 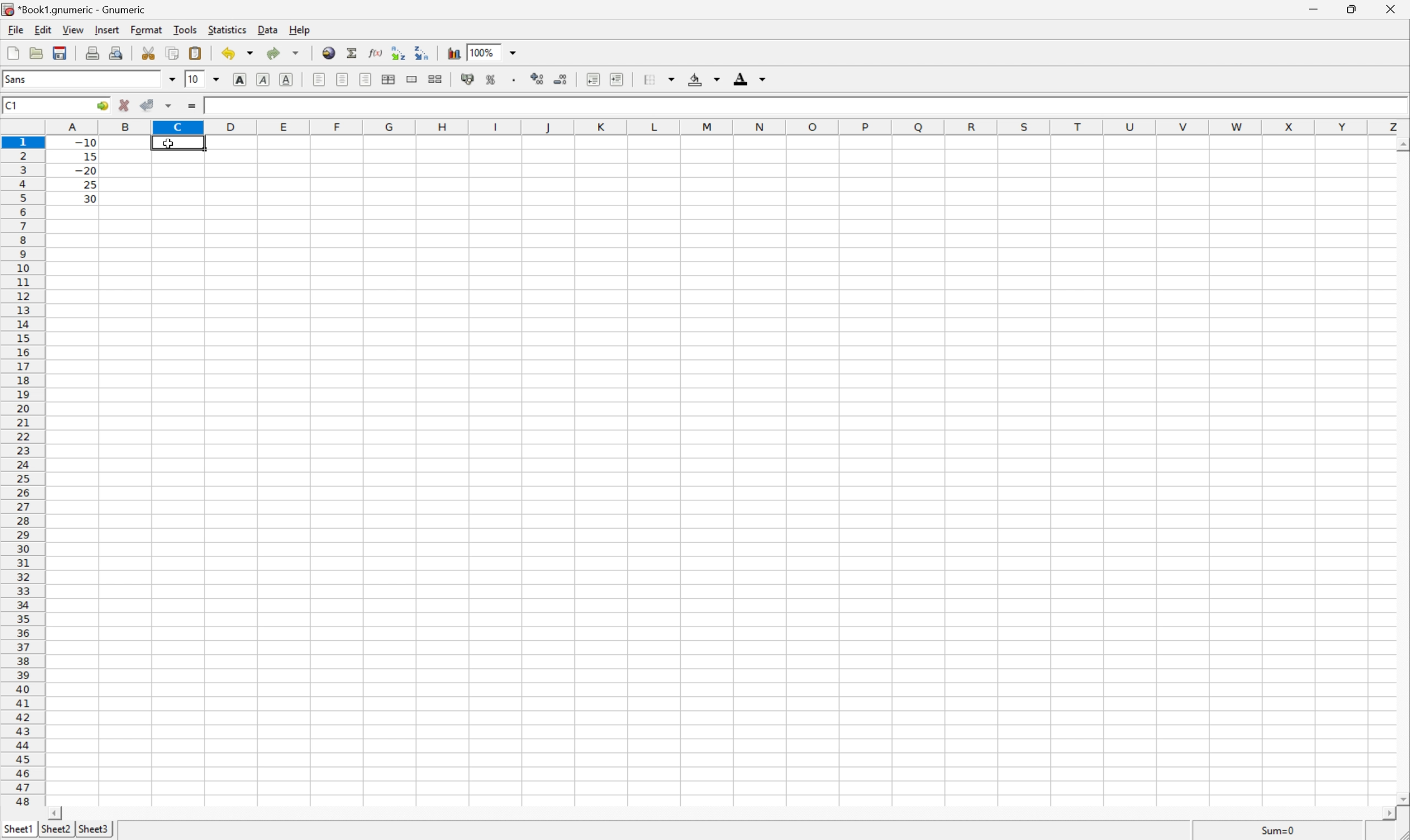 What do you see at coordinates (763, 80) in the screenshot?
I see `Dorp Down` at bounding box center [763, 80].